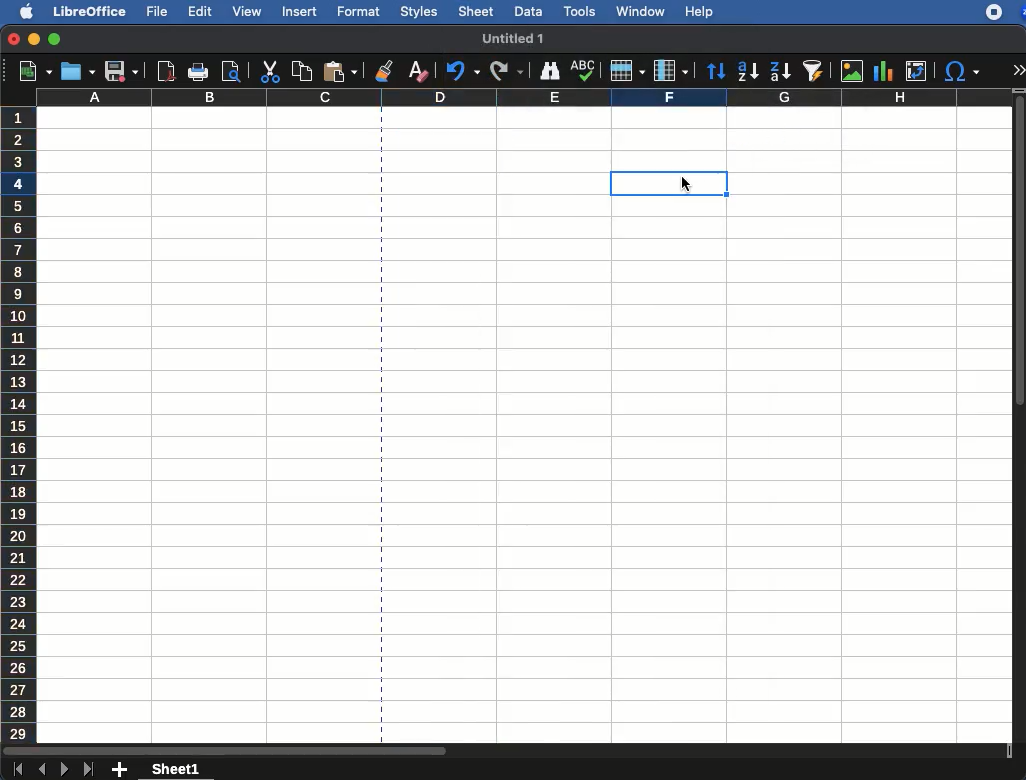 This screenshot has width=1026, height=780. What do you see at coordinates (1018, 69) in the screenshot?
I see `expand` at bounding box center [1018, 69].